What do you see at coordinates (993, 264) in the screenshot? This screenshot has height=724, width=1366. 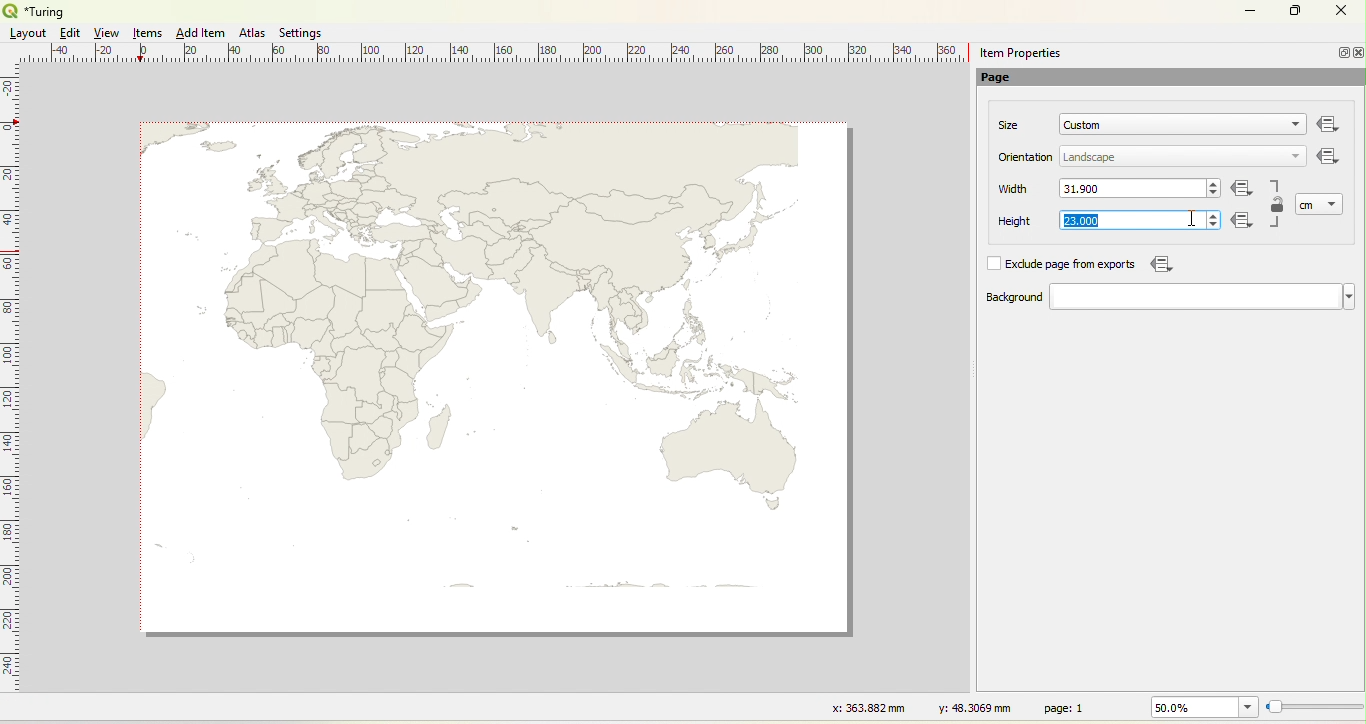 I see `check box` at bounding box center [993, 264].